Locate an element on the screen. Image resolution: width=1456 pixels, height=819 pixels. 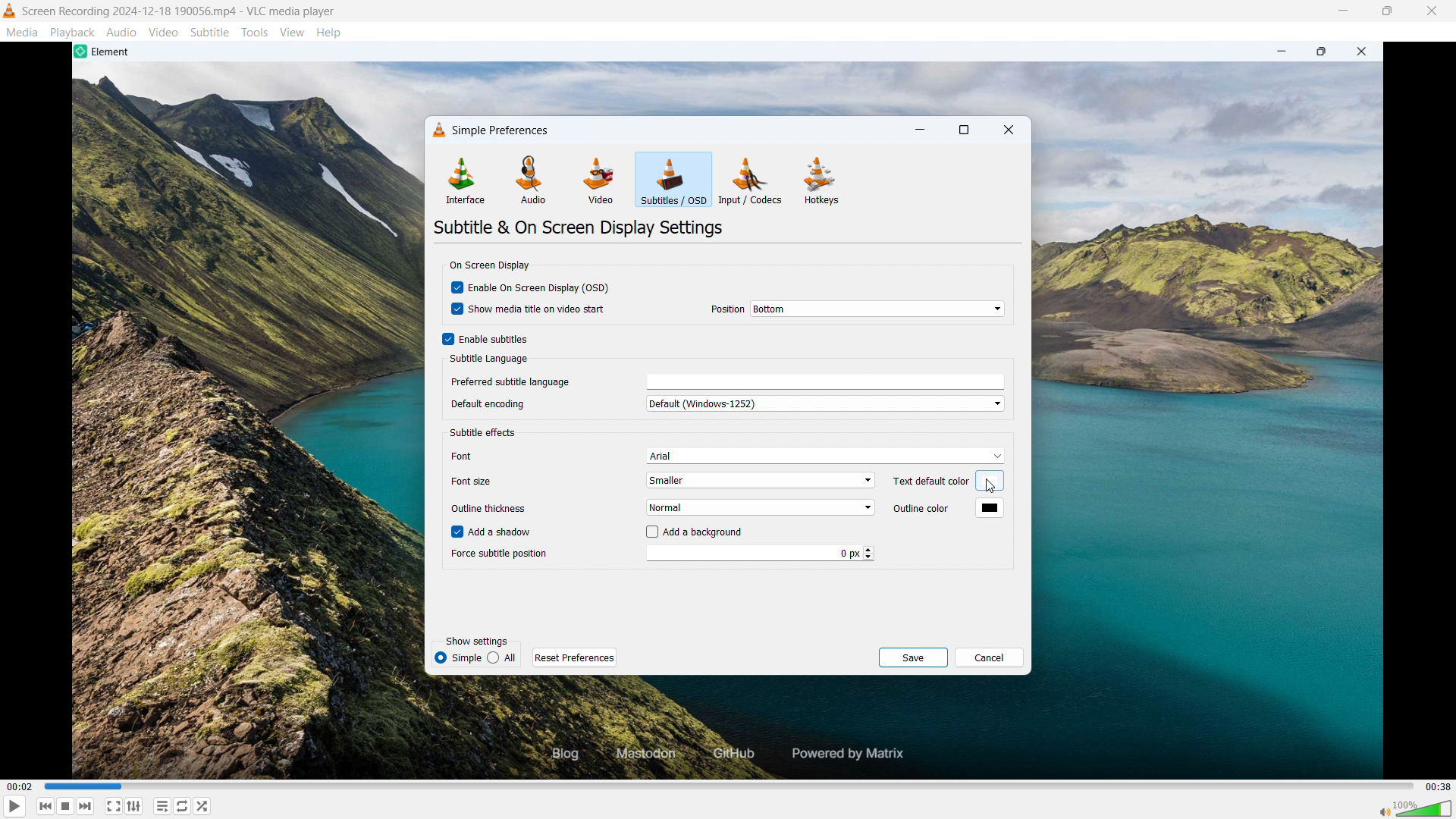
Enable on screen display  is located at coordinates (541, 287).